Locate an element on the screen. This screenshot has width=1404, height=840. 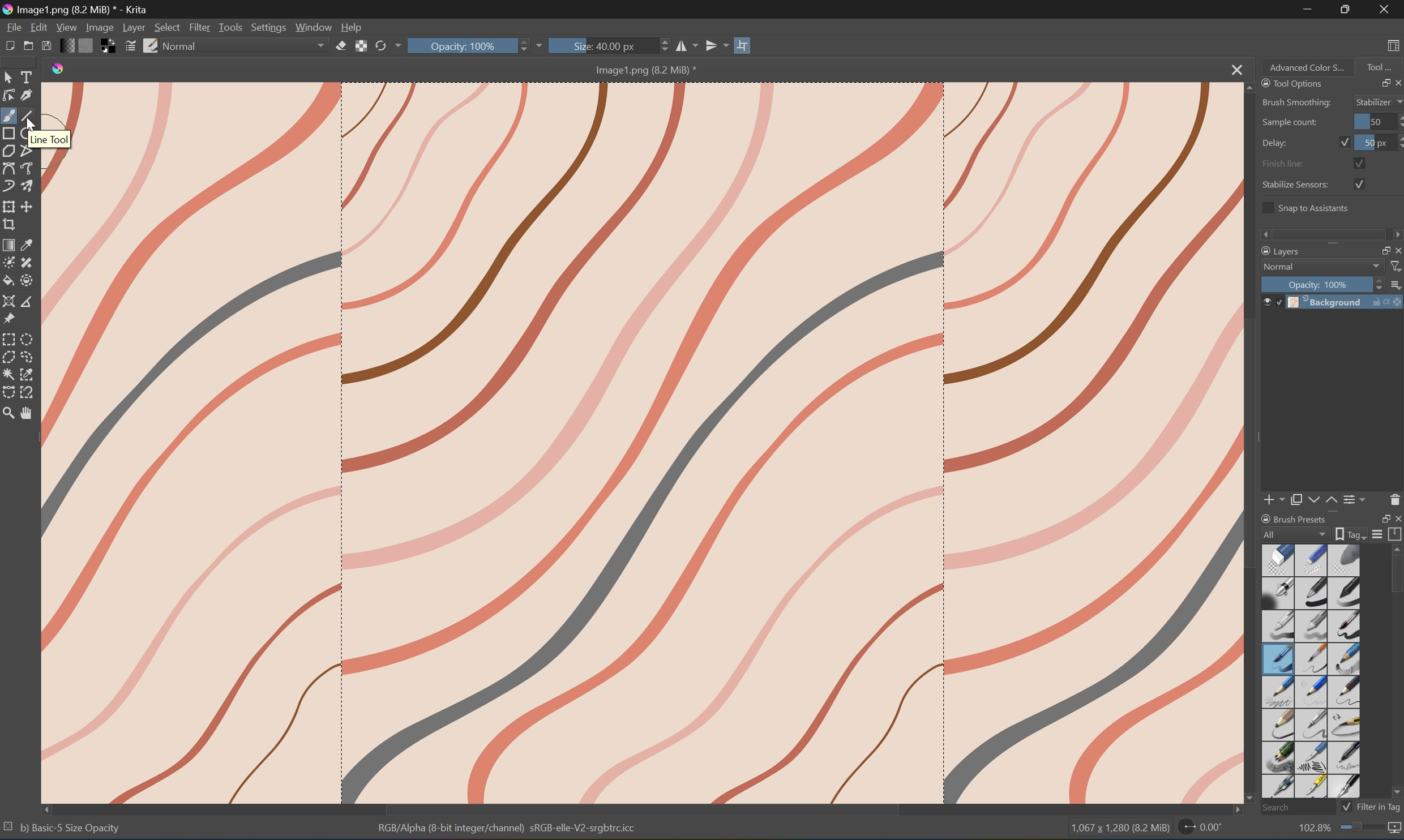
Restore Down is located at coordinates (1380, 518).